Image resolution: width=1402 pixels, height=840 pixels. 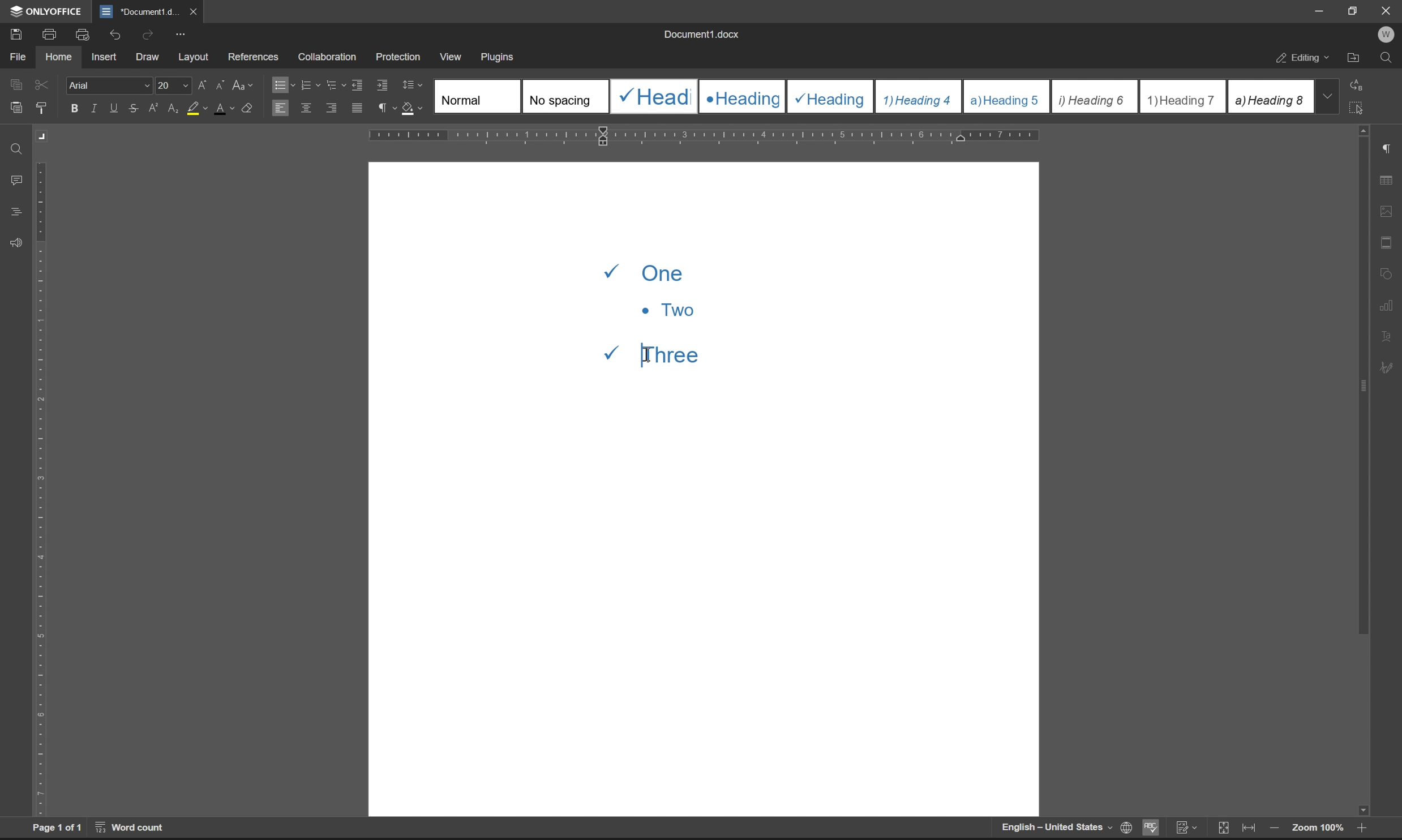 What do you see at coordinates (174, 106) in the screenshot?
I see `subscript` at bounding box center [174, 106].